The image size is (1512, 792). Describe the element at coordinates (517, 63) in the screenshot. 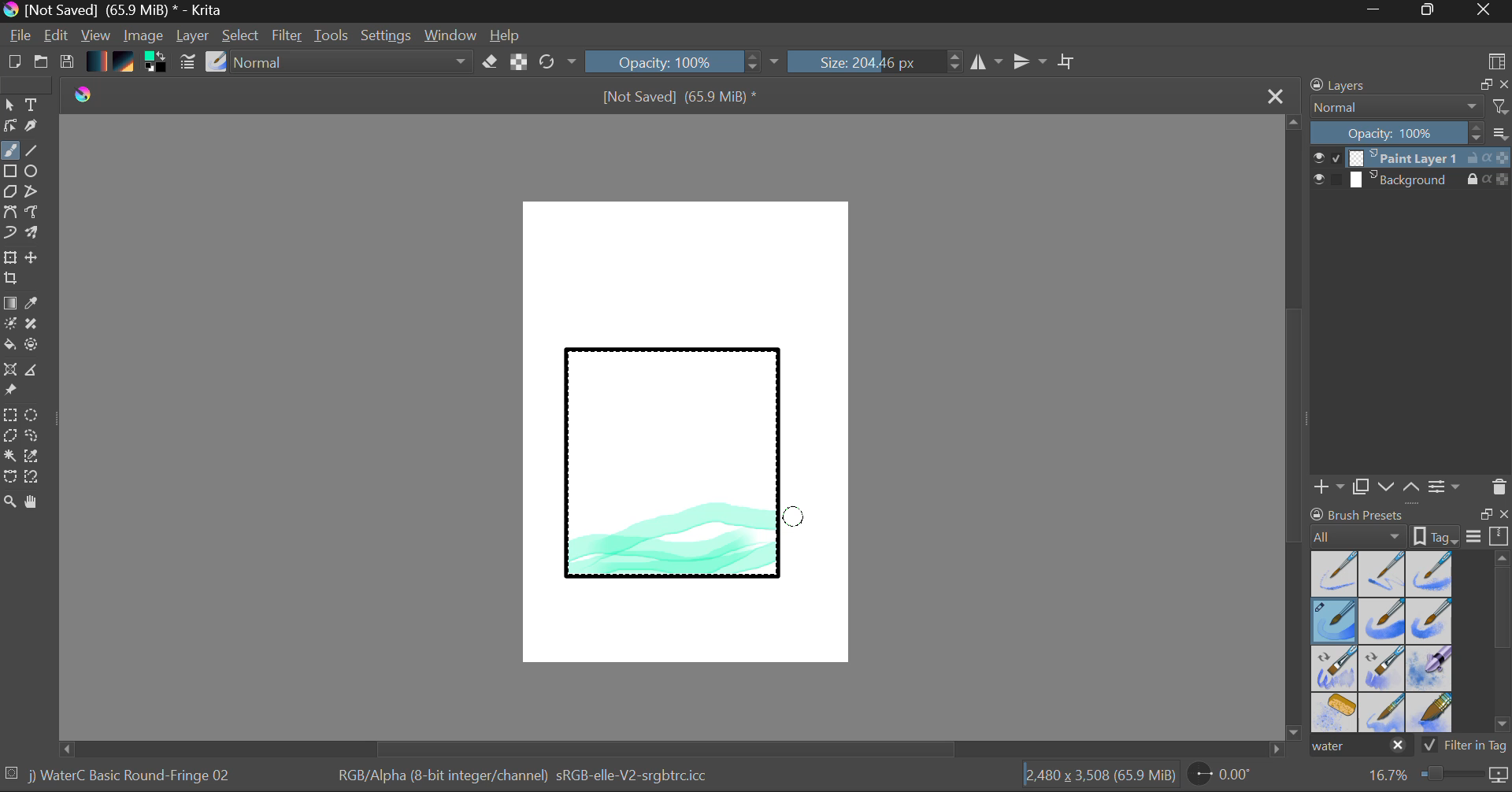

I see `Lock Alpha` at that location.